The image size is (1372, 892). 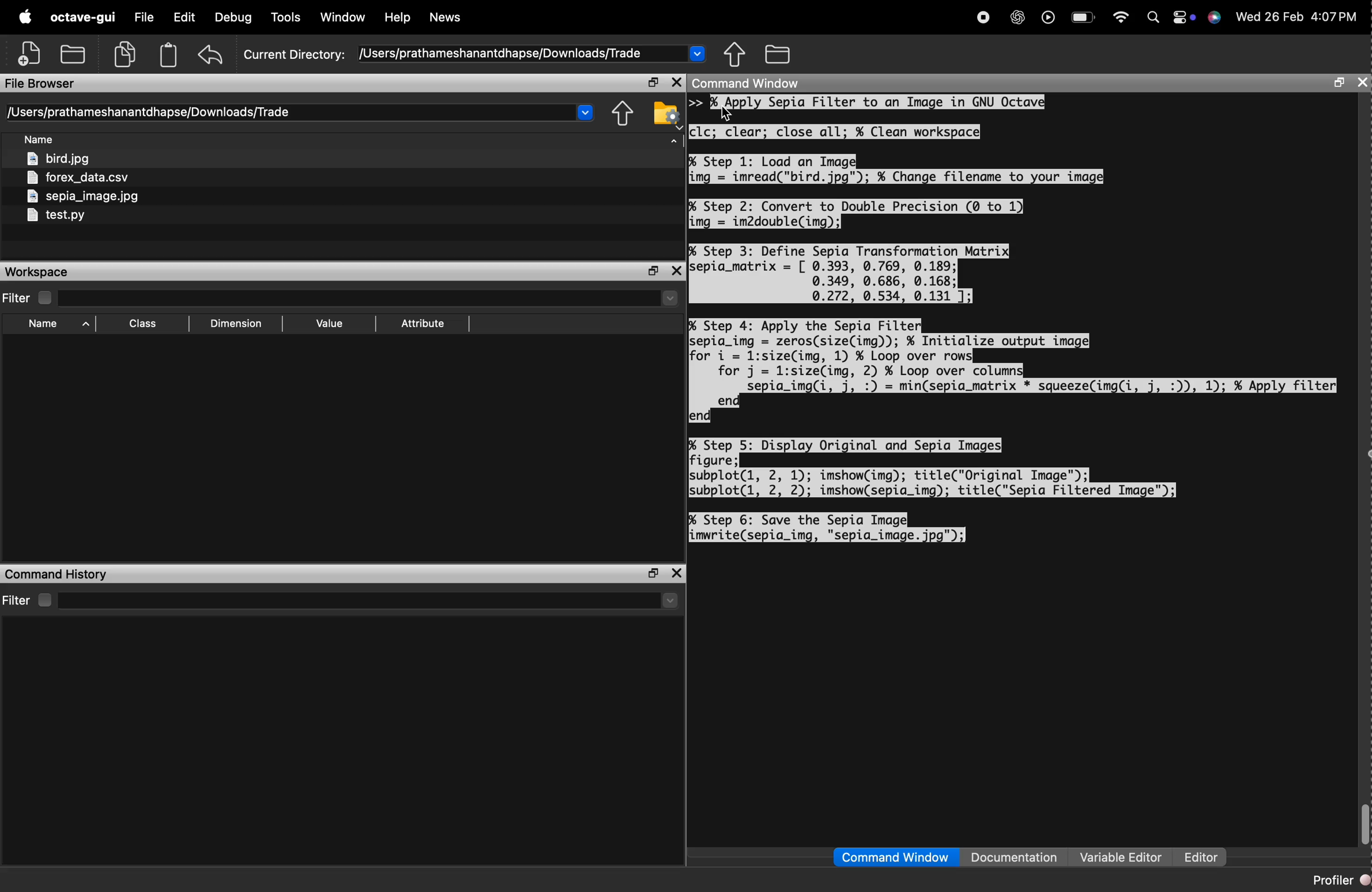 I want to click on  sepia_image.jpg, so click(x=84, y=196).